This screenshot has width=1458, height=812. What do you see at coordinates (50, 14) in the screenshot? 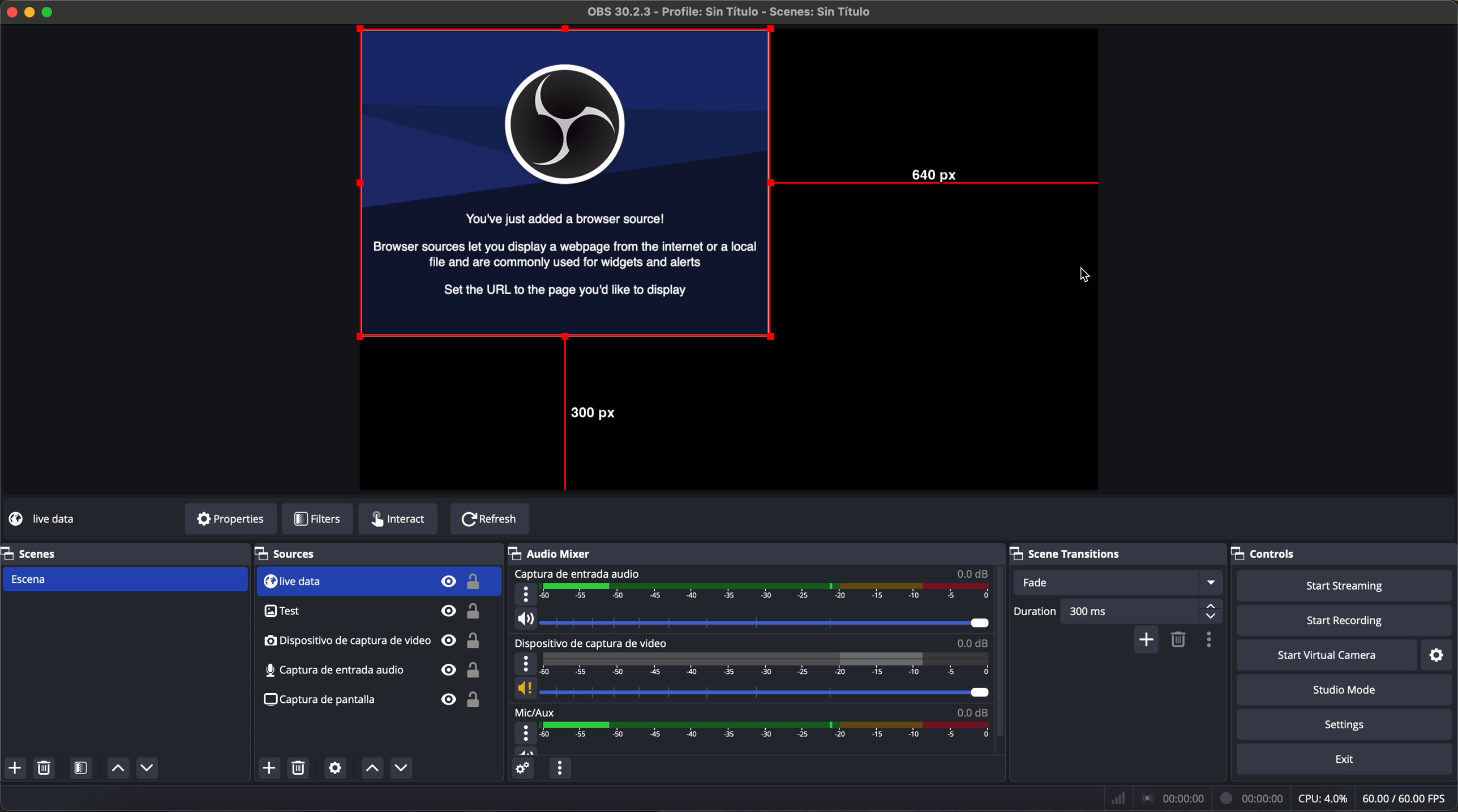
I see `maximize program` at bounding box center [50, 14].